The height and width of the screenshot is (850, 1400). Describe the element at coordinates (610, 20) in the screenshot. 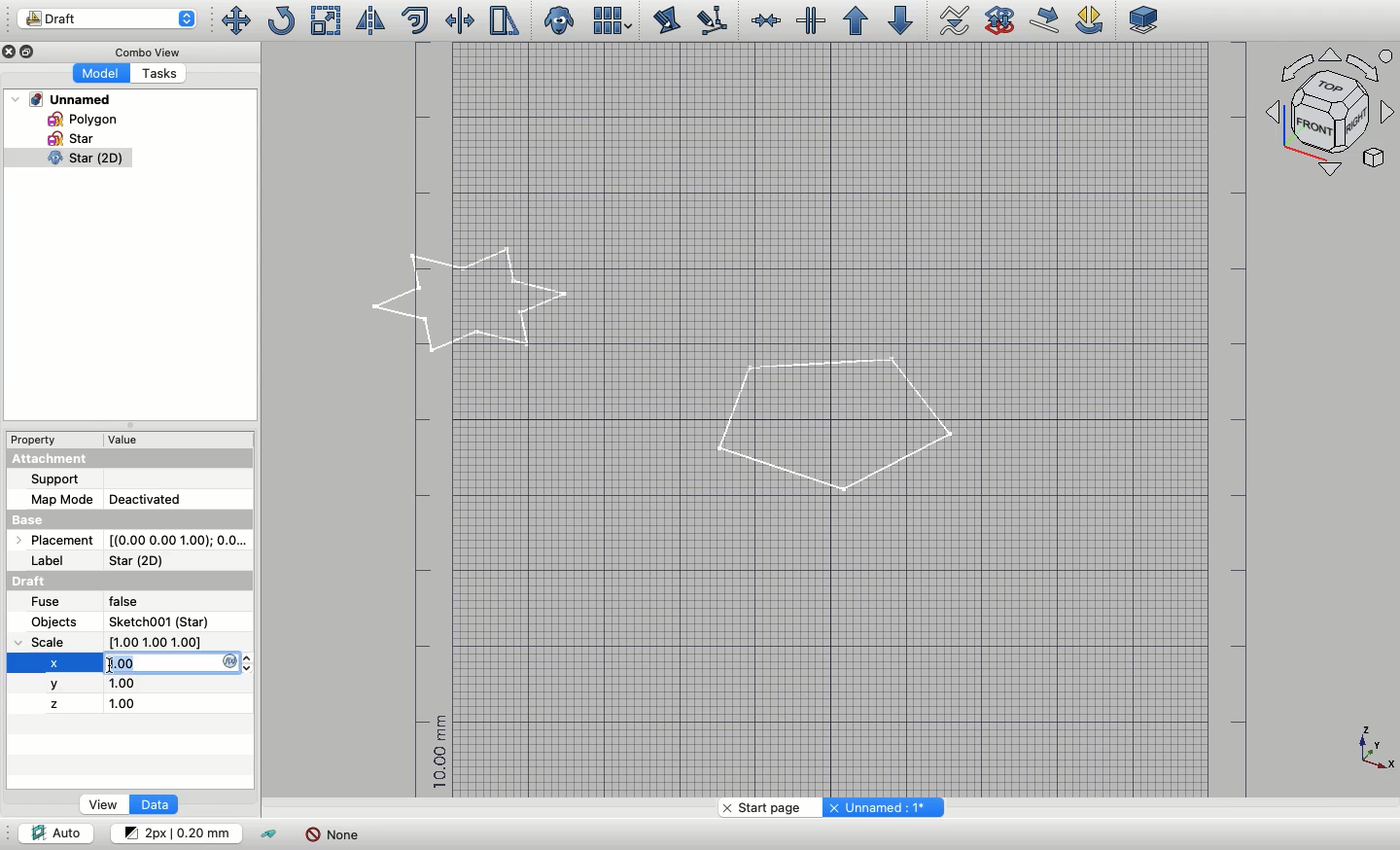

I see `Array tools` at that location.